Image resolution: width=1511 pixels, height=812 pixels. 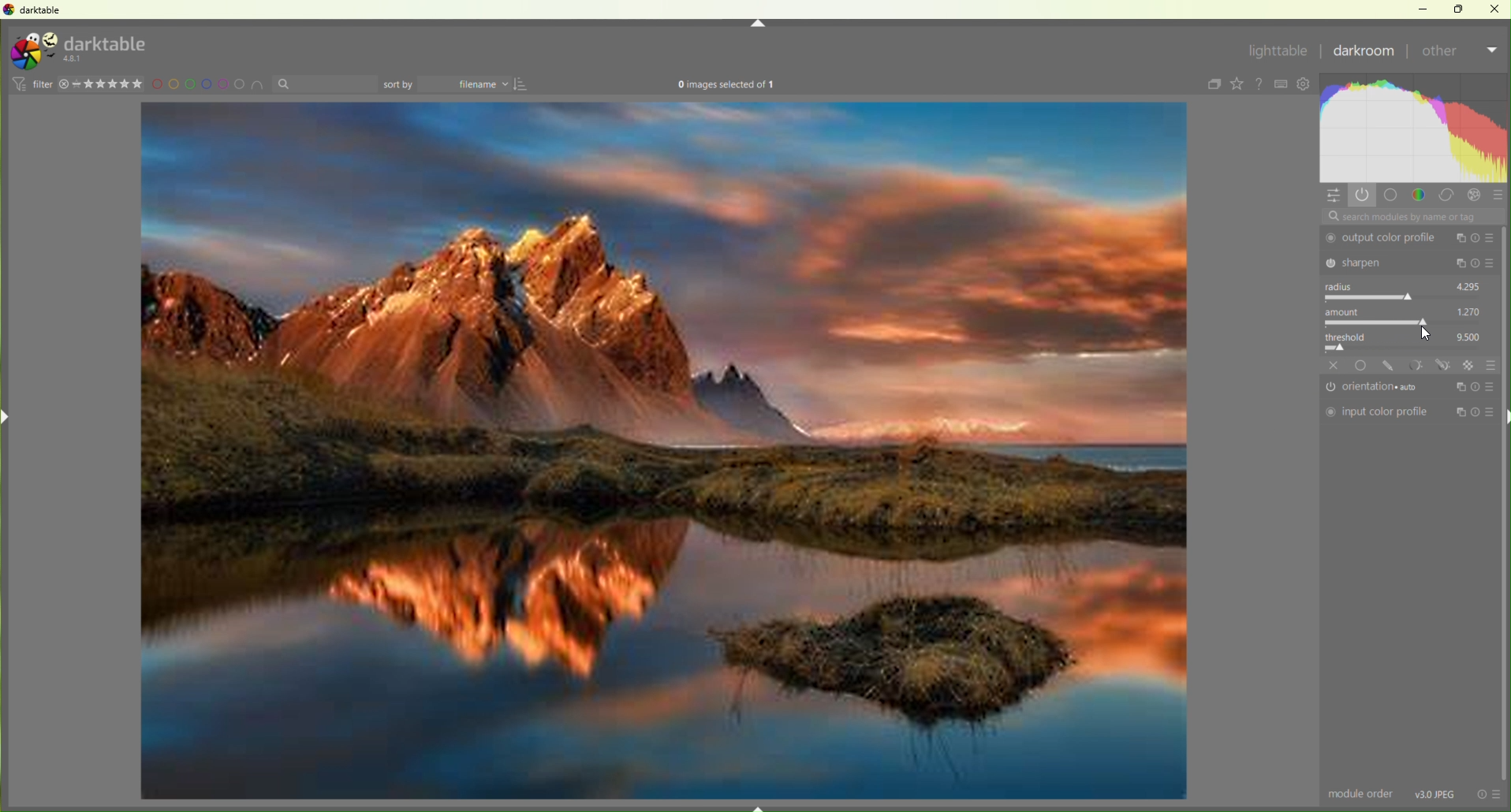 What do you see at coordinates (210, 84) in the screenshot?
I see `filter by images color label` at bounding box center [210, 84].